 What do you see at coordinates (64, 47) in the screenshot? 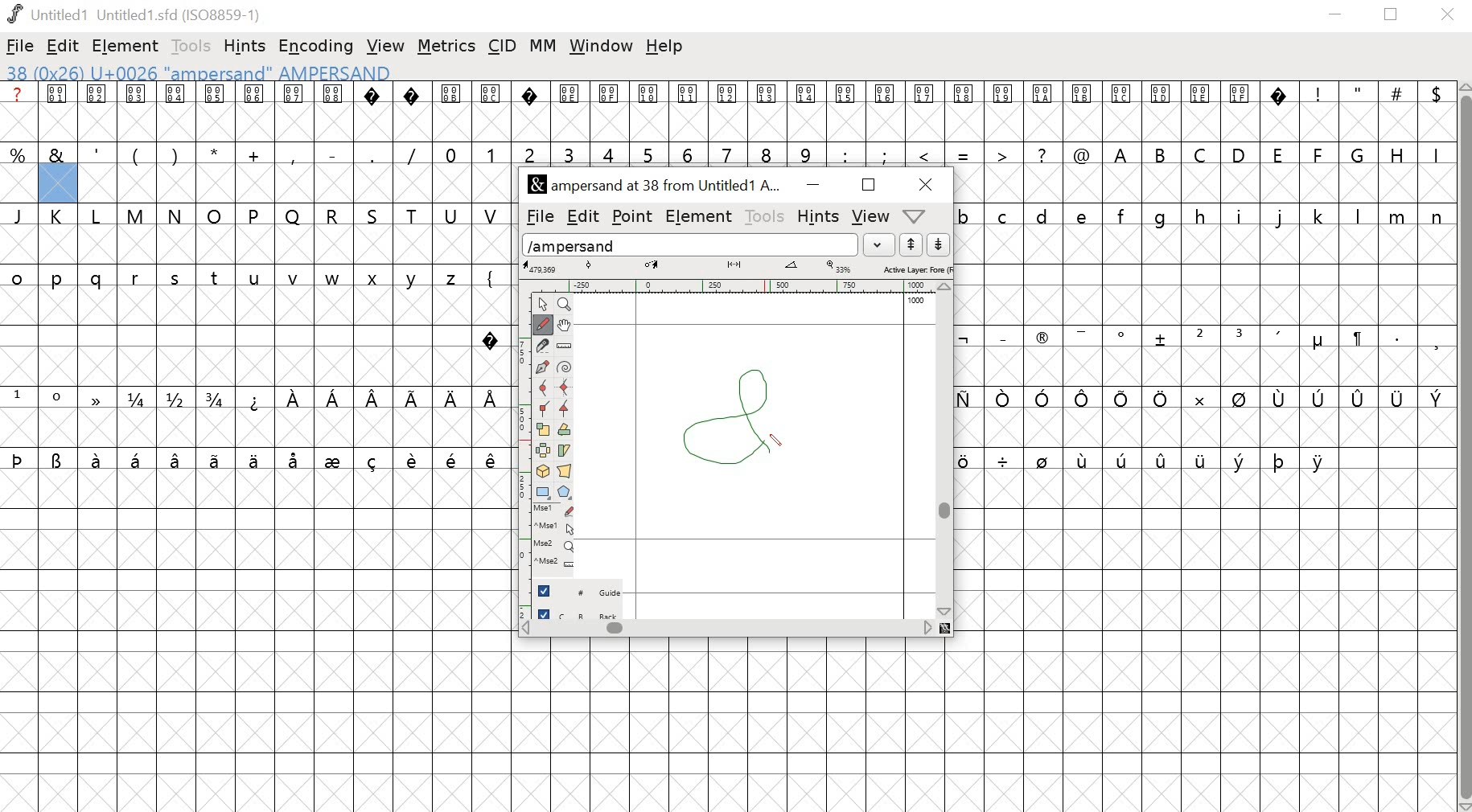
I see `edit` at bounding box center [64, 47].